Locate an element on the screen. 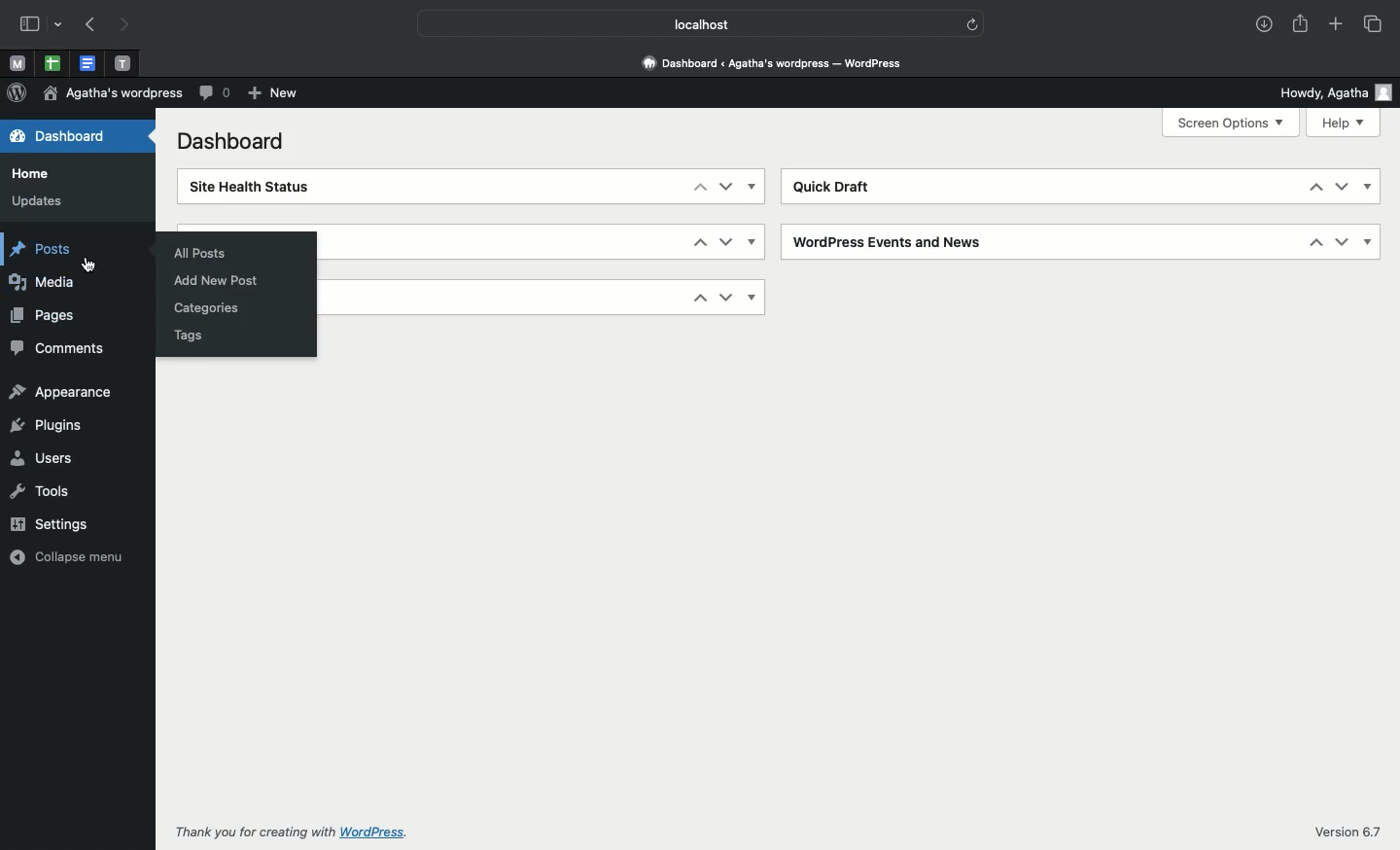  Downloads is located at coordinates (1264, 24).